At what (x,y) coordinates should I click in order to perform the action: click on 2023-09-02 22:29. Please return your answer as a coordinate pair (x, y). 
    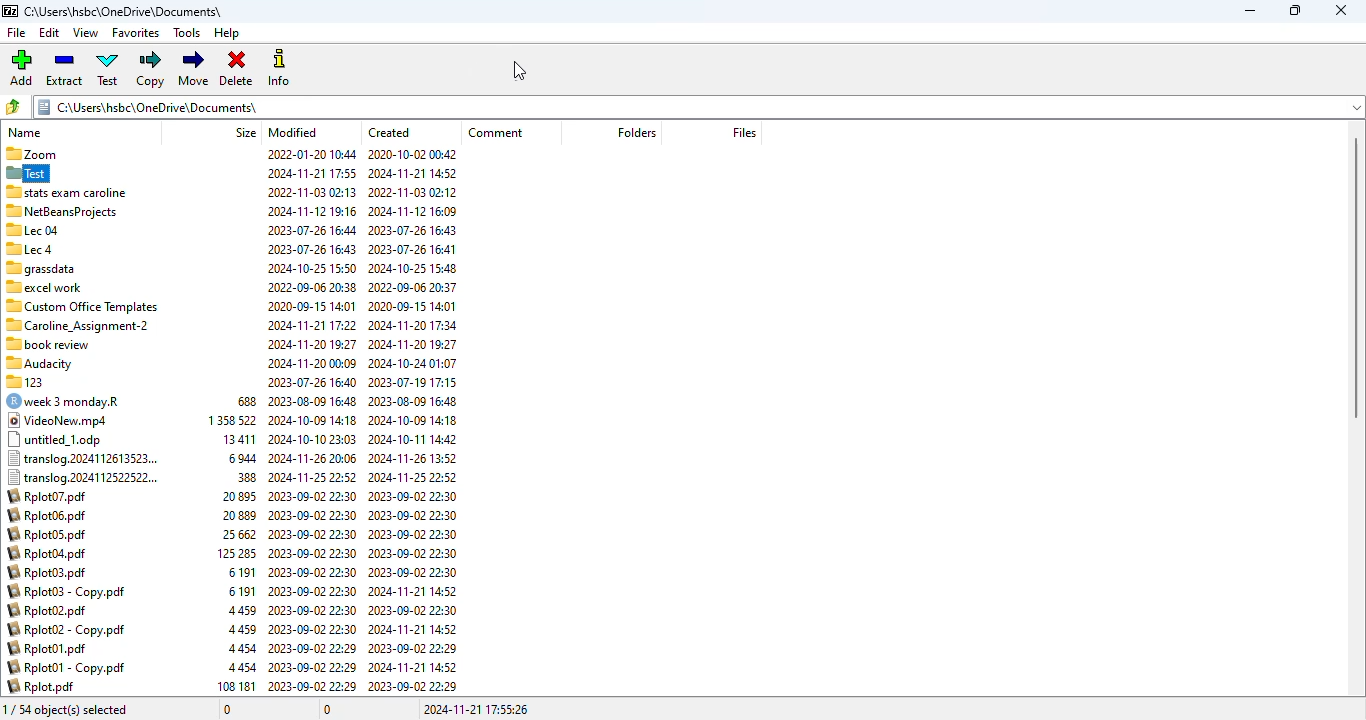
    Looking at the image, I should click on (313, 667).